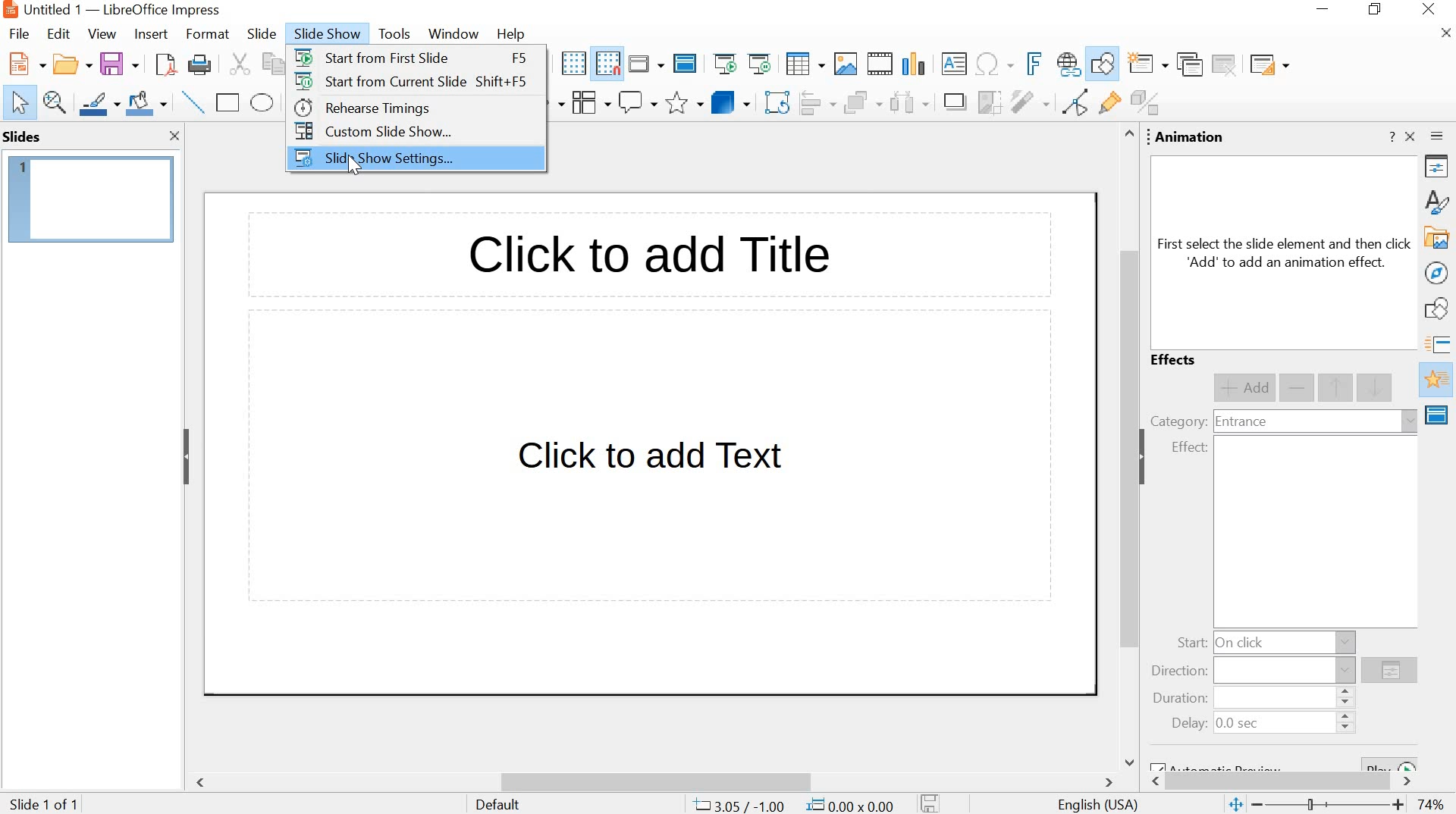  Describe the element at coordinates (1439, 139) in the screenshot. I see `sidebar settings` at that location.